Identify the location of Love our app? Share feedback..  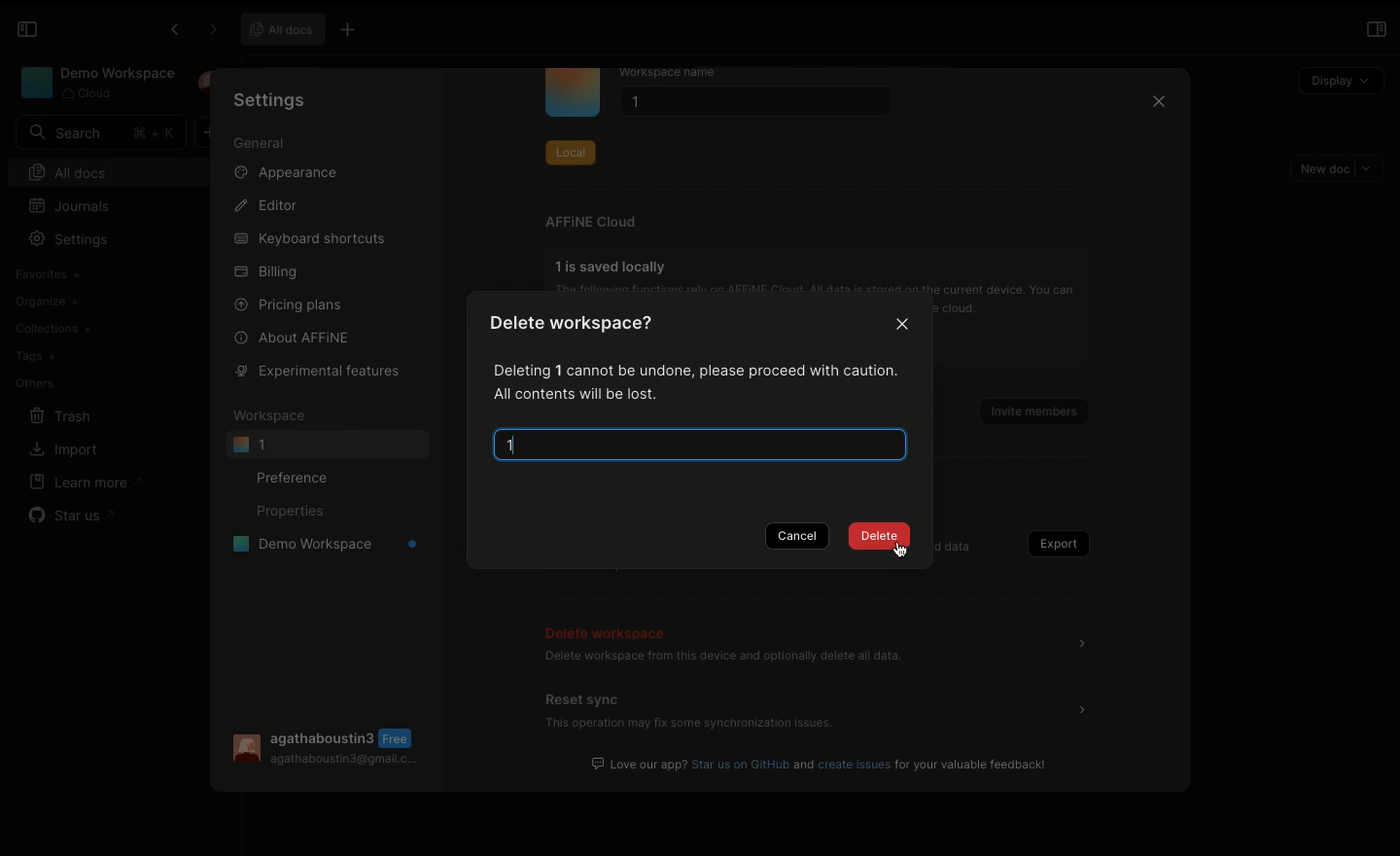
(822, 764).